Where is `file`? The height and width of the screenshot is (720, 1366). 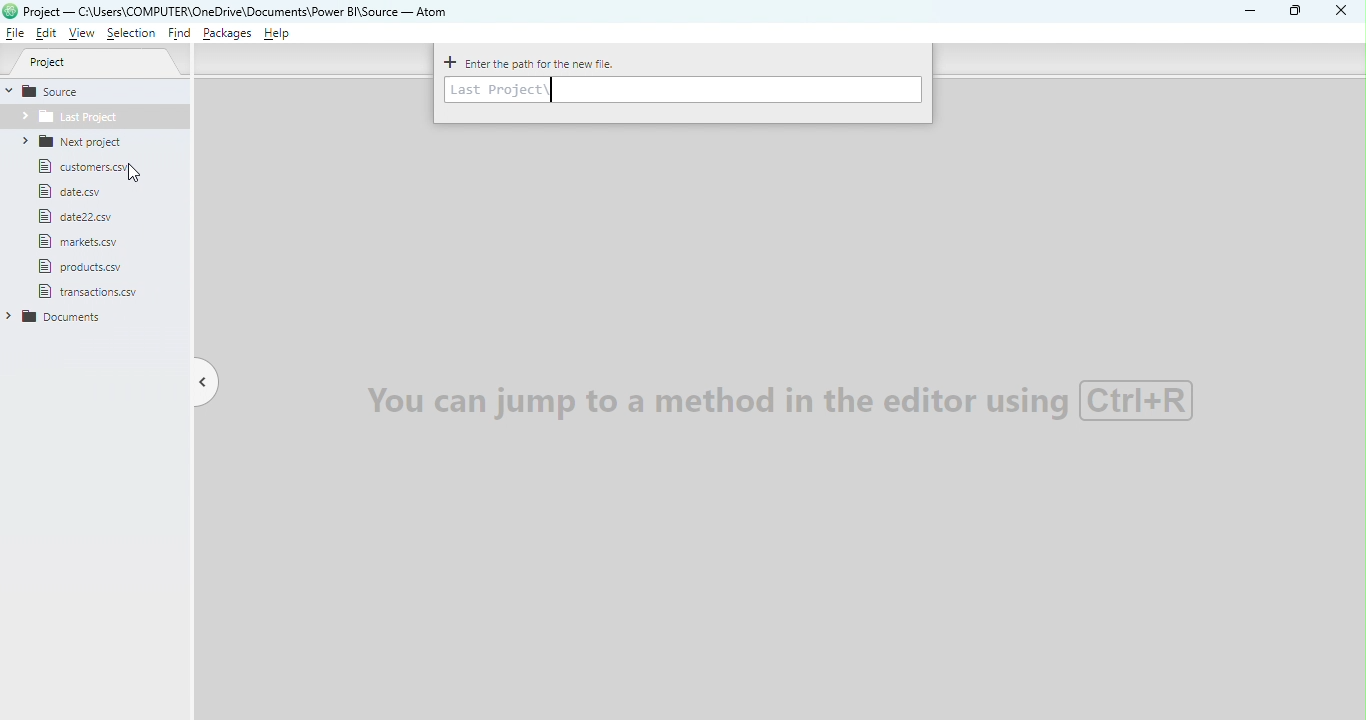
file is located at coordinates (87, 266).